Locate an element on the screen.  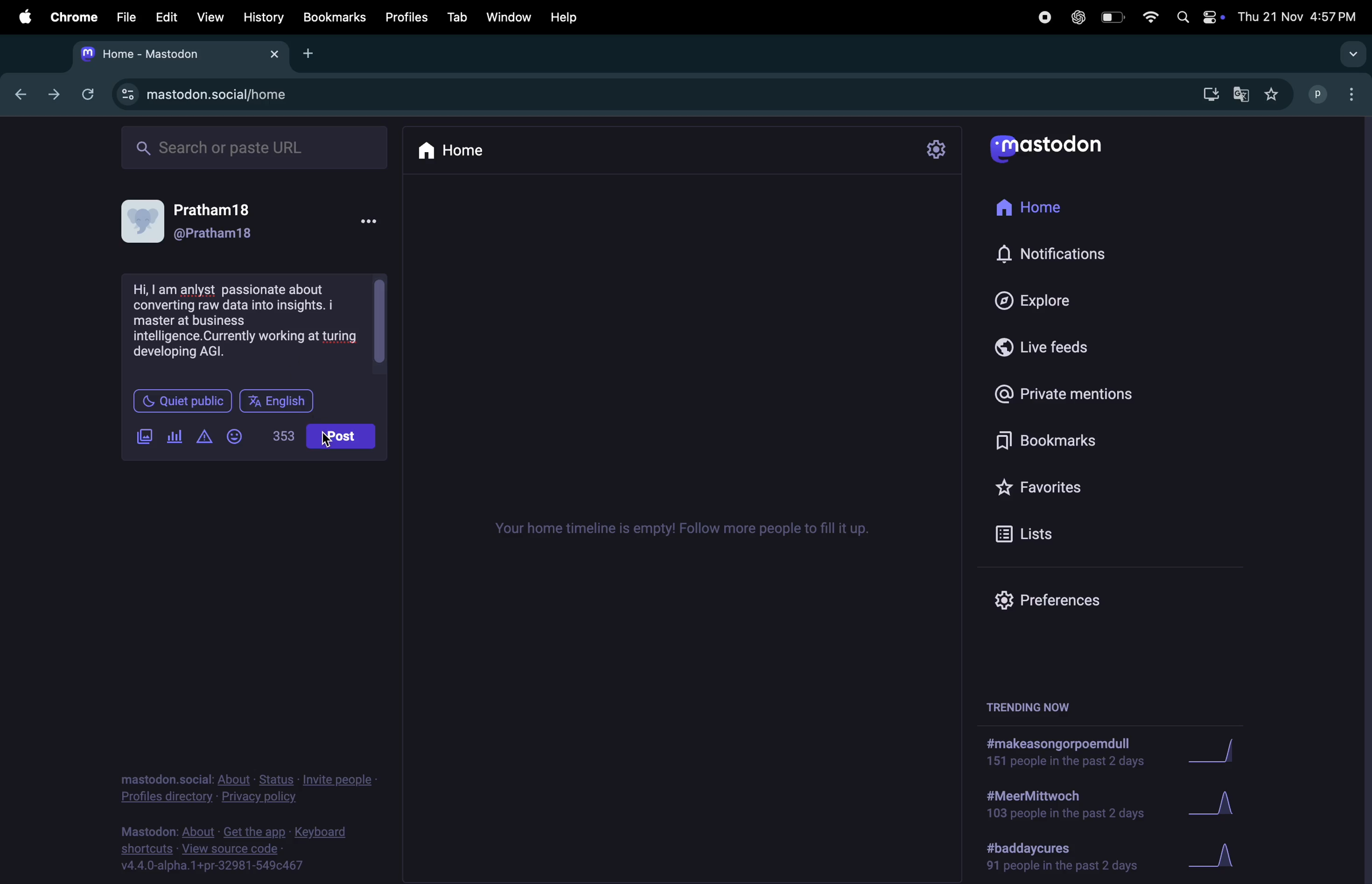
smiley is located at coordinates (237, 431).